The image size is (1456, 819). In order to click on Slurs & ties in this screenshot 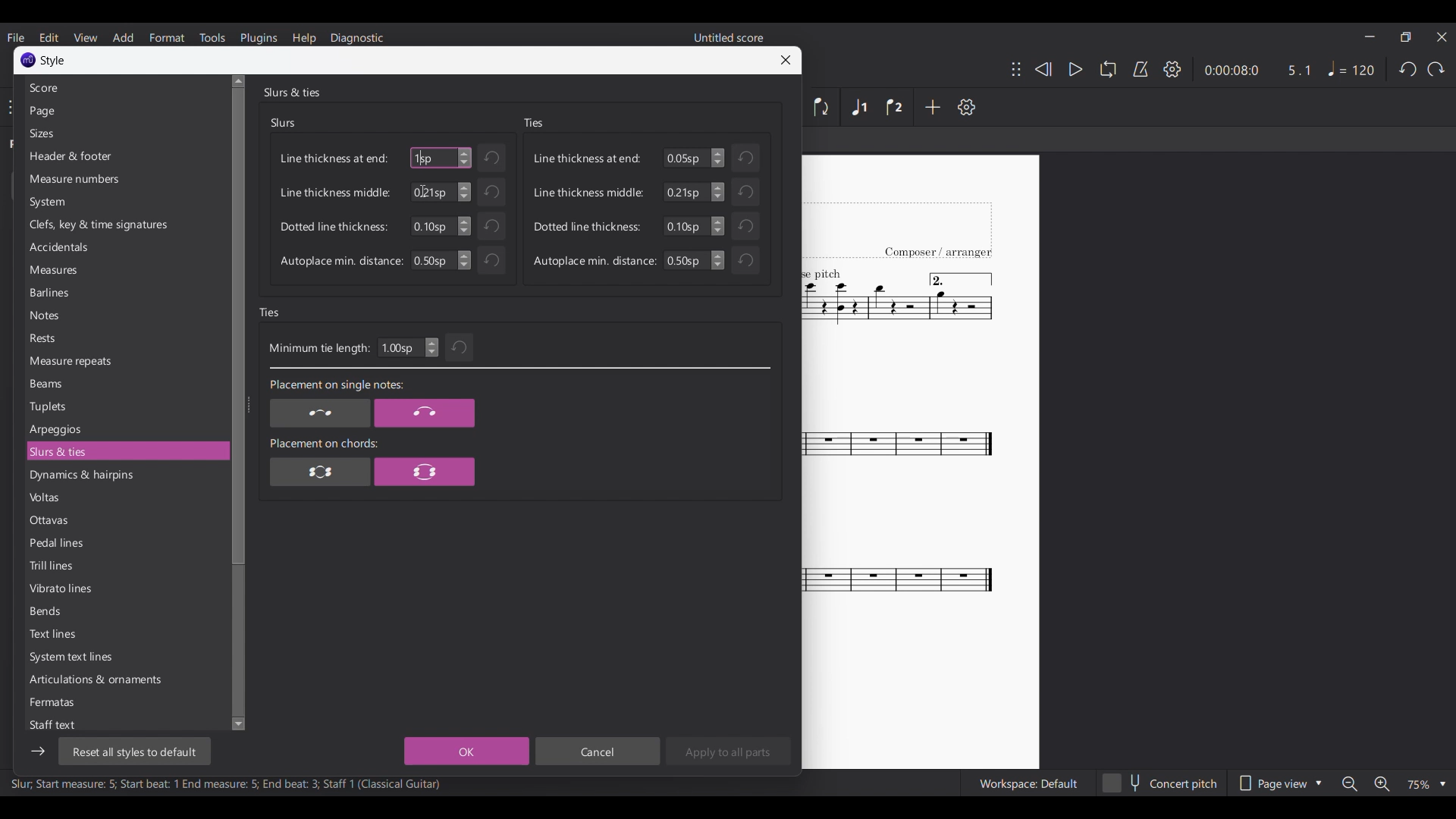, I will do `click(291, 92)`.